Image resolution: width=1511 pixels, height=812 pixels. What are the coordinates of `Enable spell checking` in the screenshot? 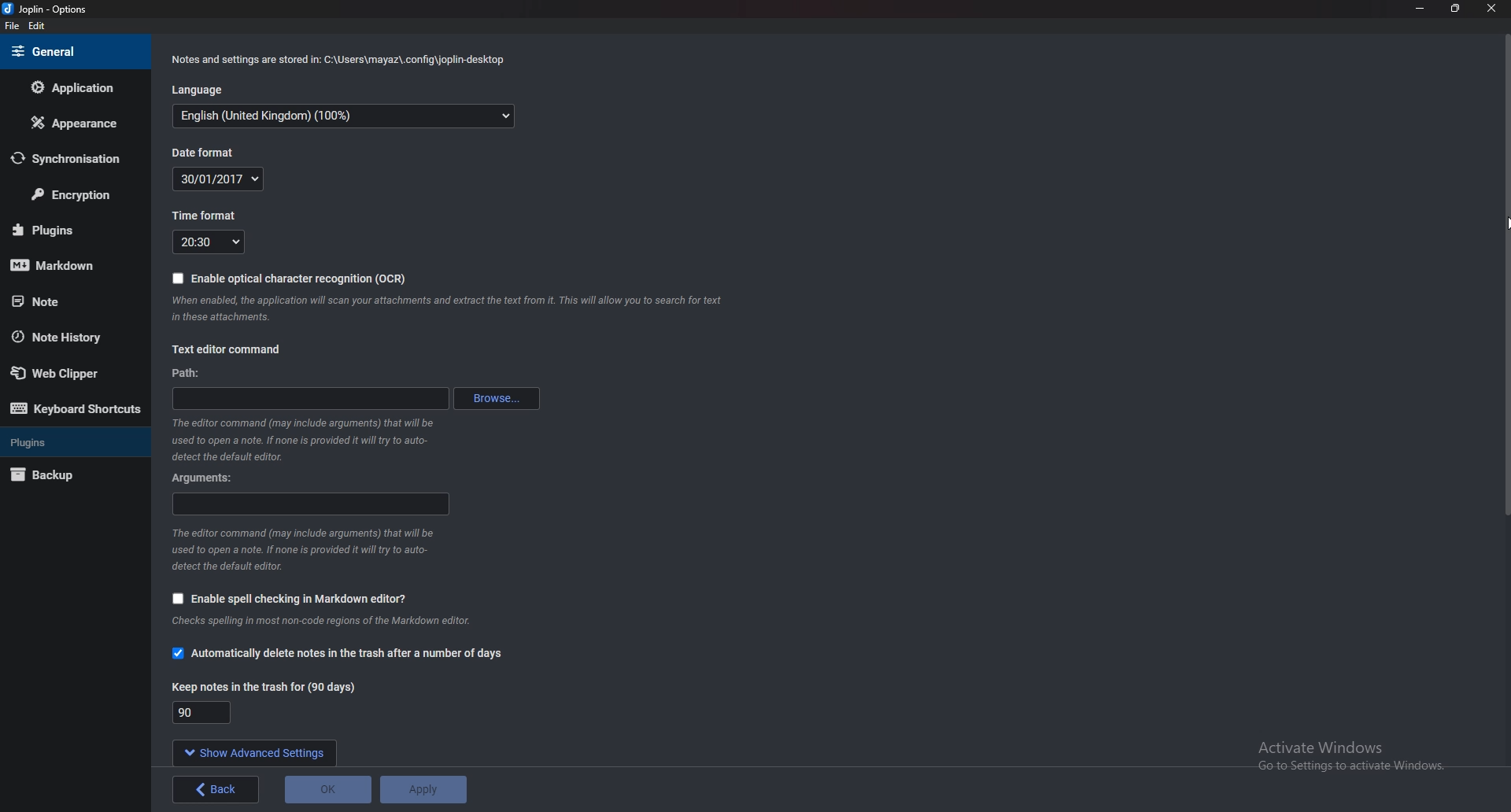 It's located at (290, 599).